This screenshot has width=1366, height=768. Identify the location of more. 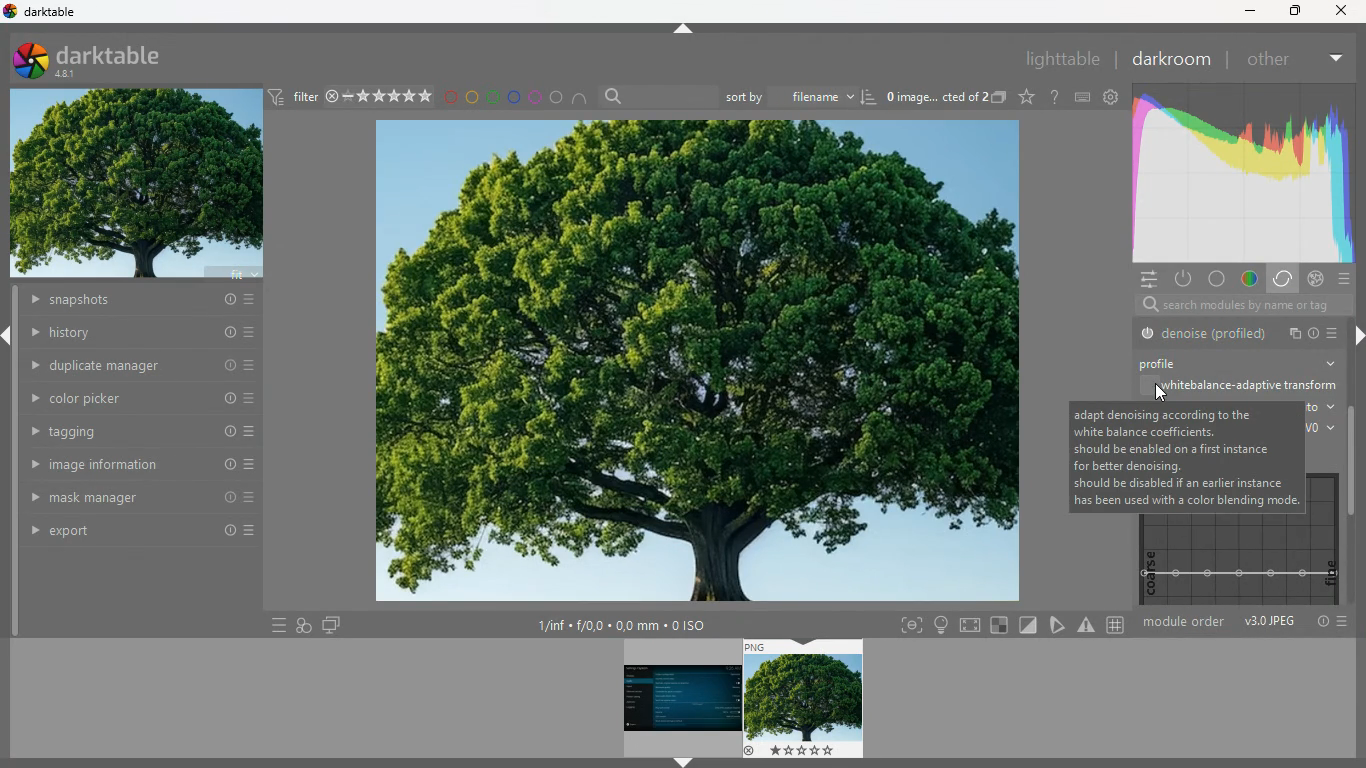
(1346, 623).